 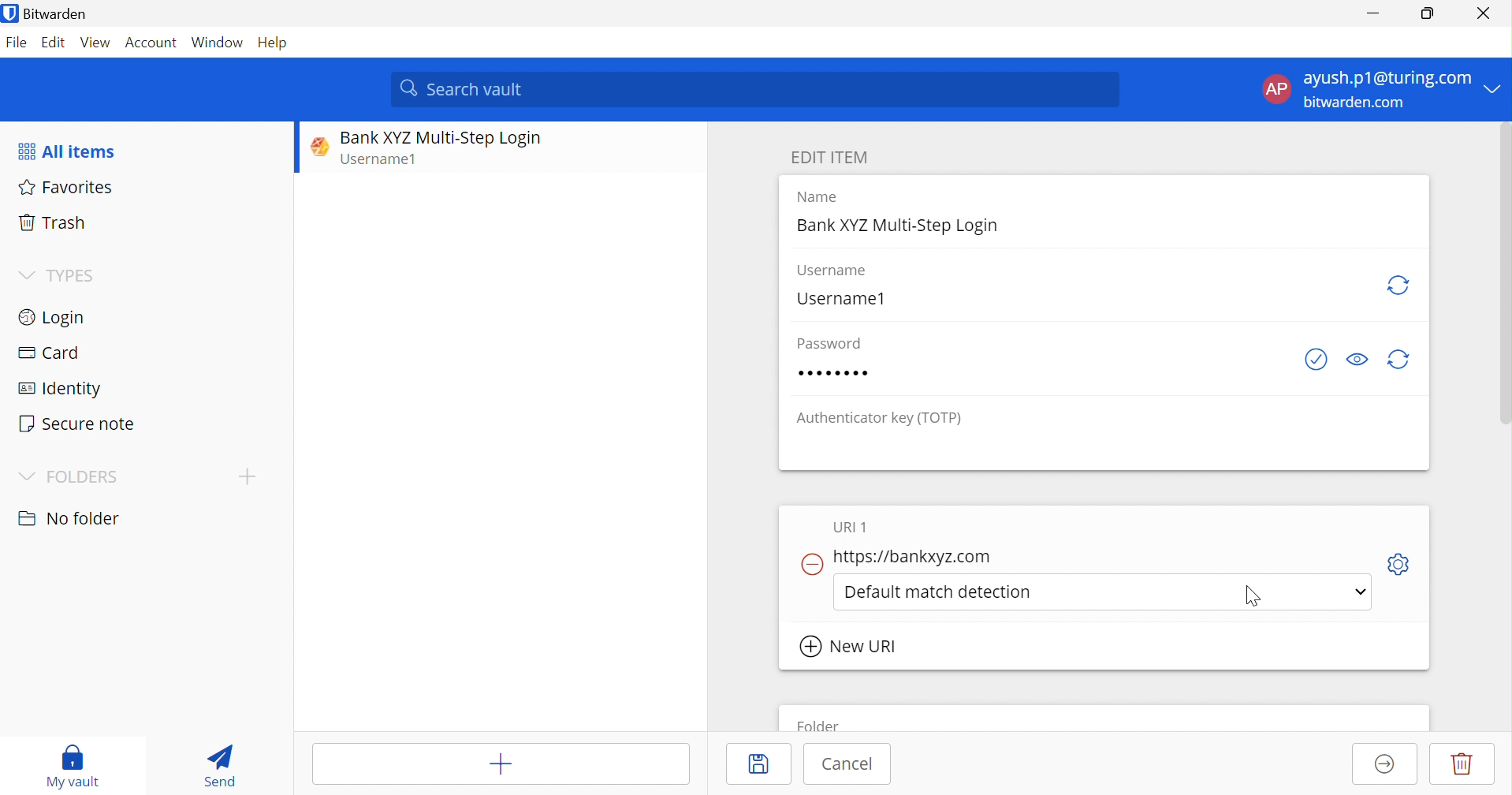 What do you see at coordinates (840, 300) in the screenshot?
I see `Username1` at bounding box center [840, 300].